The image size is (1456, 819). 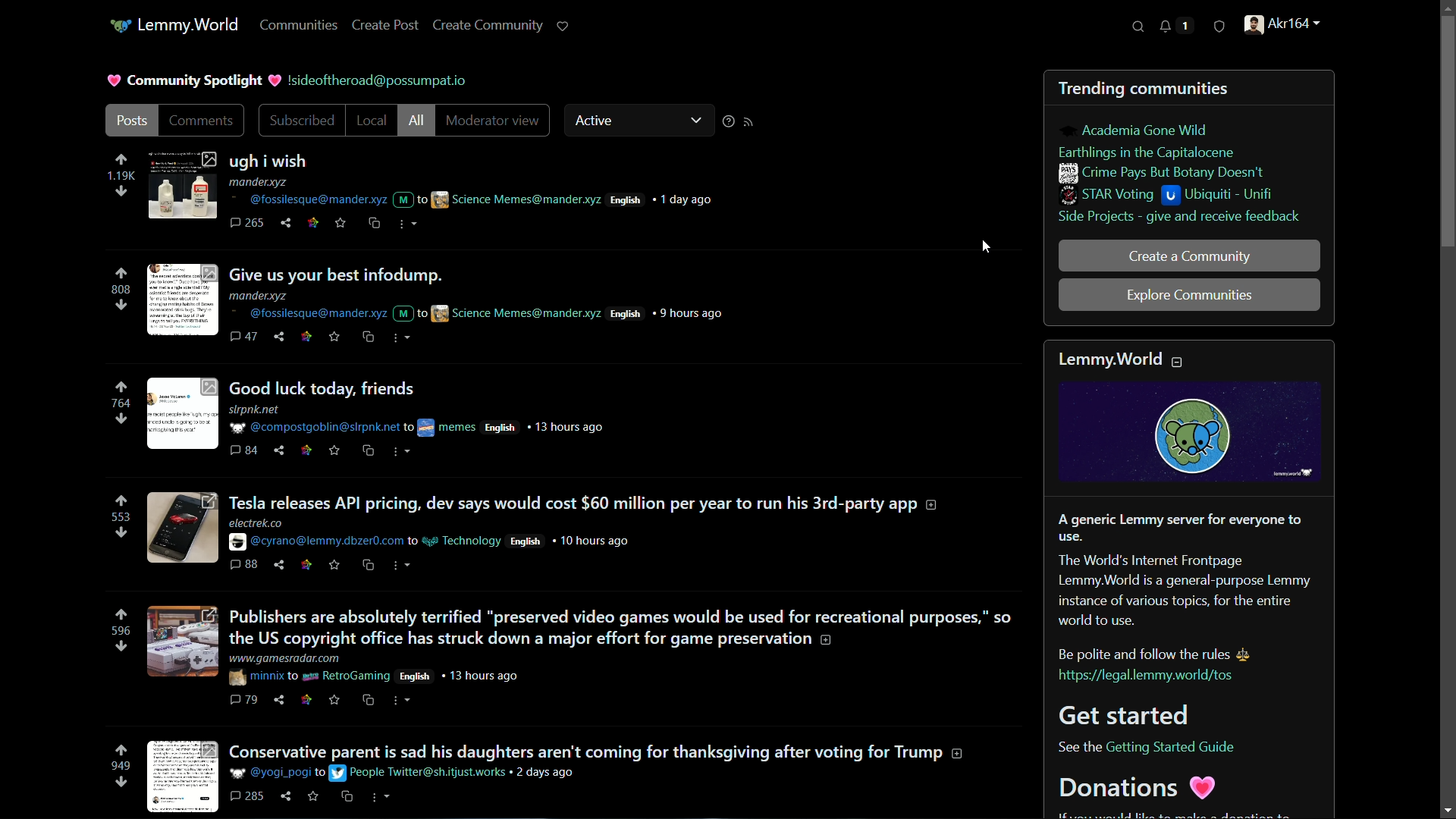 I want to click on science memes@mander.xyz, so click(x=516, y=312).